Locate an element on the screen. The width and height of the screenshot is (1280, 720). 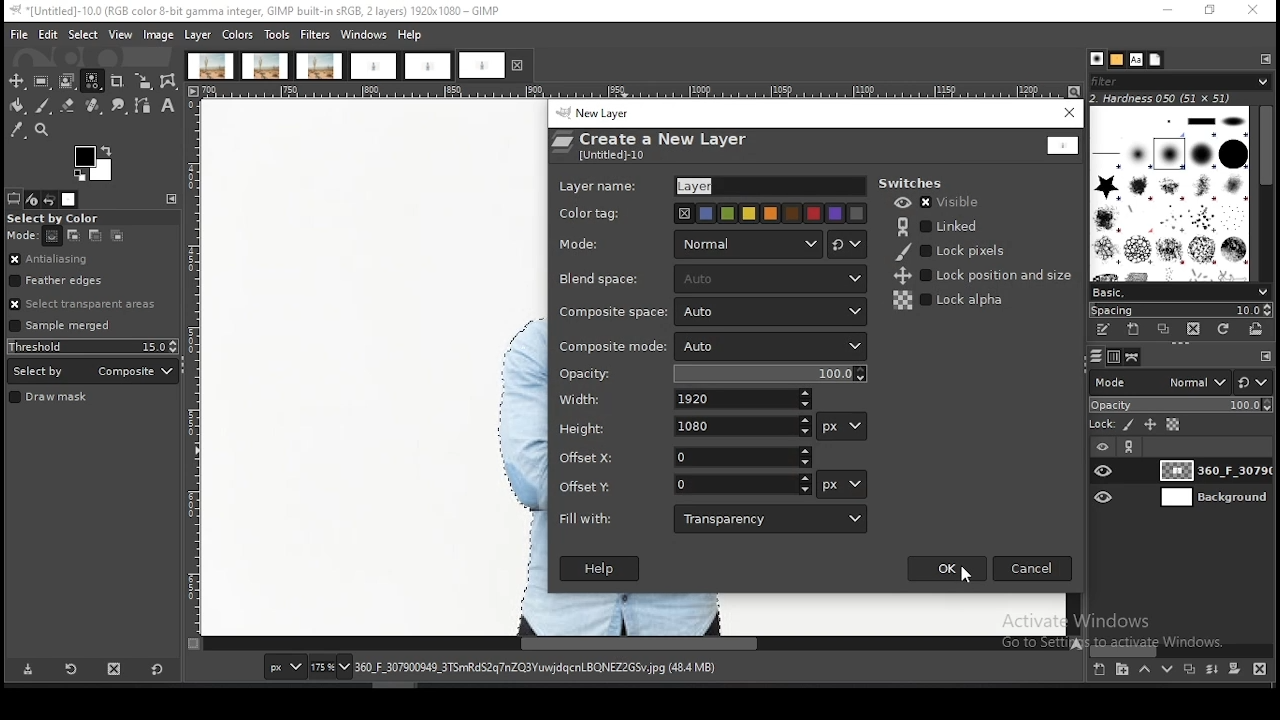
create a new brush is located at coordinates (1134, 330).